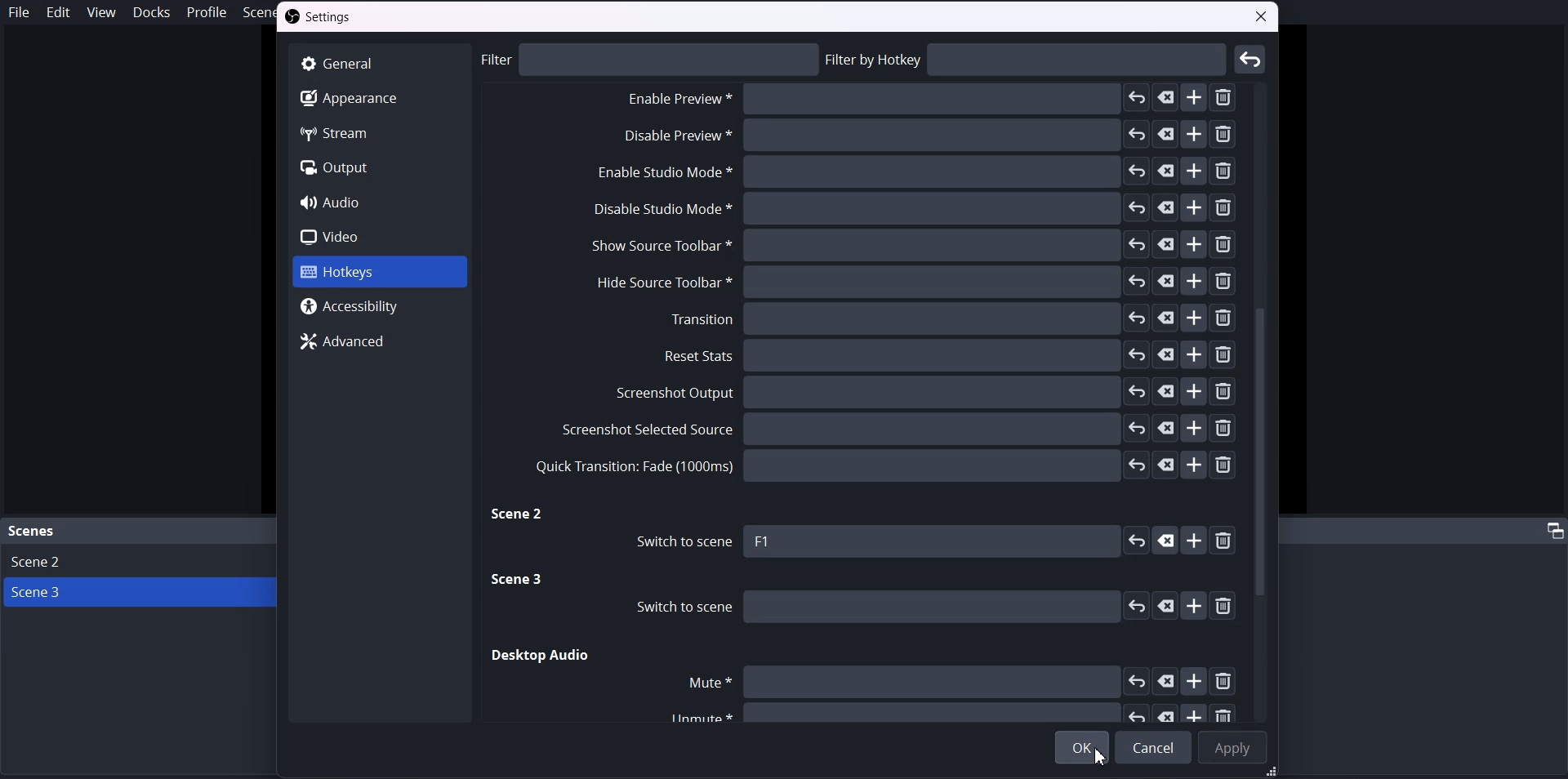 The image size is (1568, 779). Describe the element at coordinates (379, 168) in the screenshot. I see `Output` at that location.